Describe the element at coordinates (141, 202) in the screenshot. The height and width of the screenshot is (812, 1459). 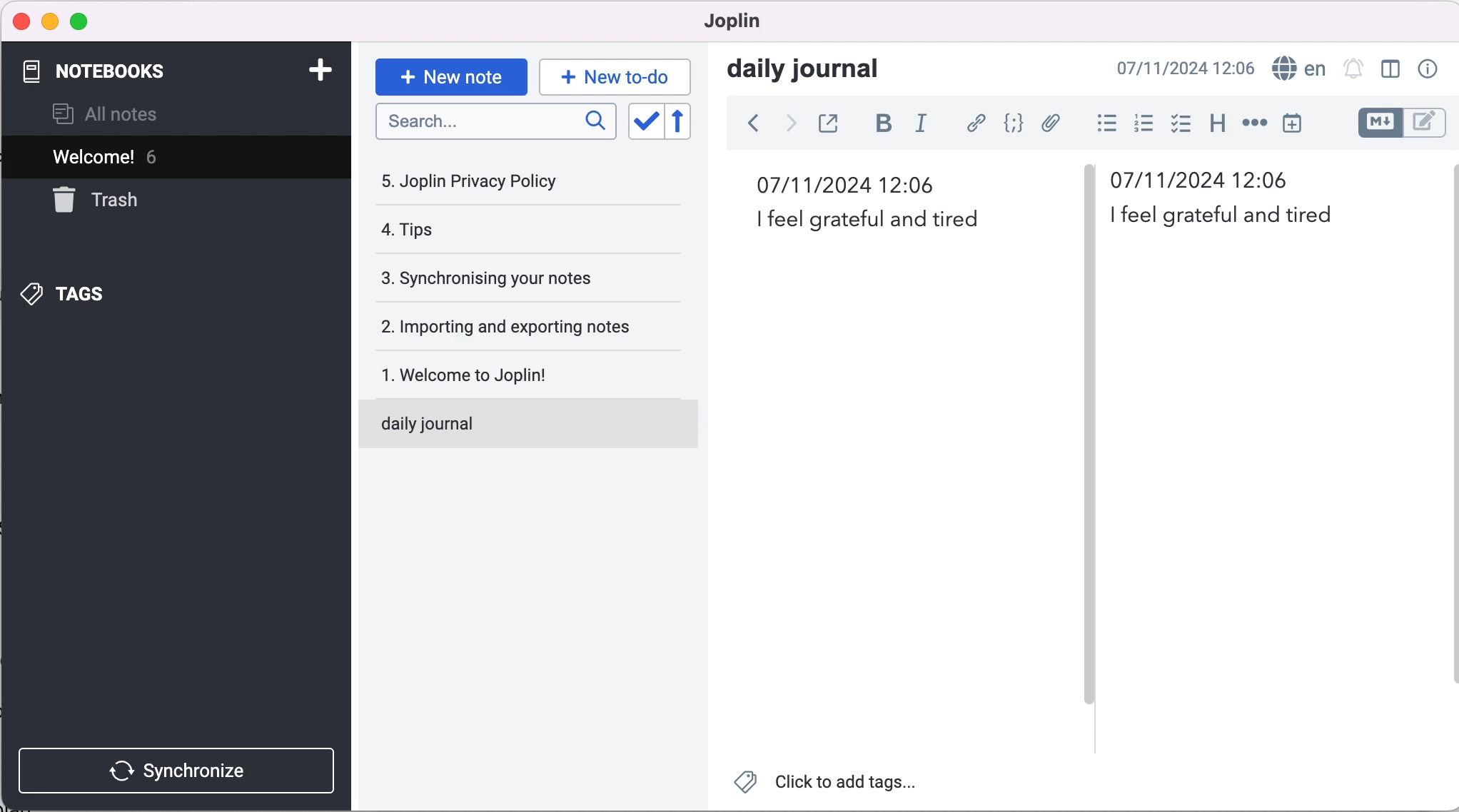
I see `trash` at that location.